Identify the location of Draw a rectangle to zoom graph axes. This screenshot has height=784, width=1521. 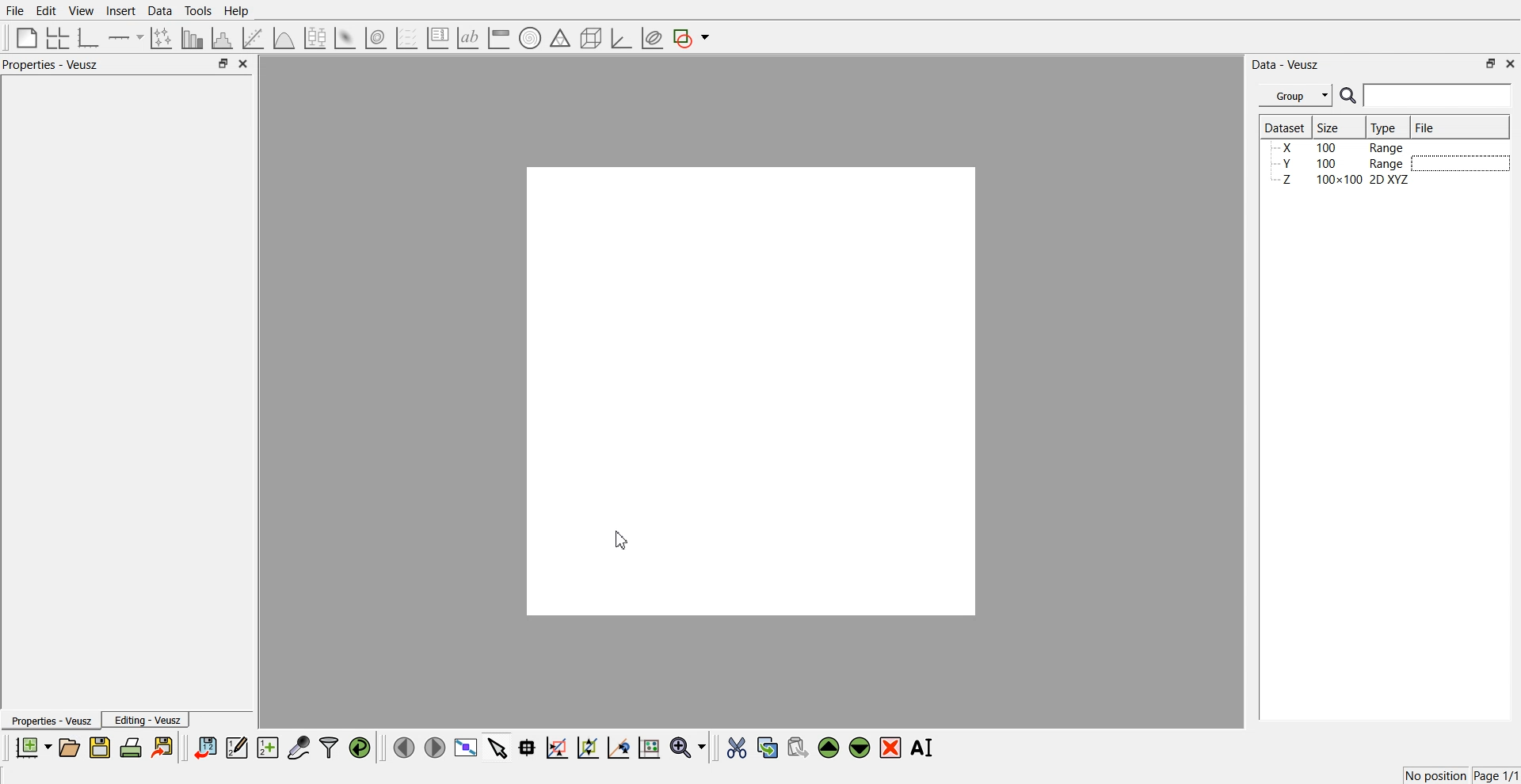
(556, 748).